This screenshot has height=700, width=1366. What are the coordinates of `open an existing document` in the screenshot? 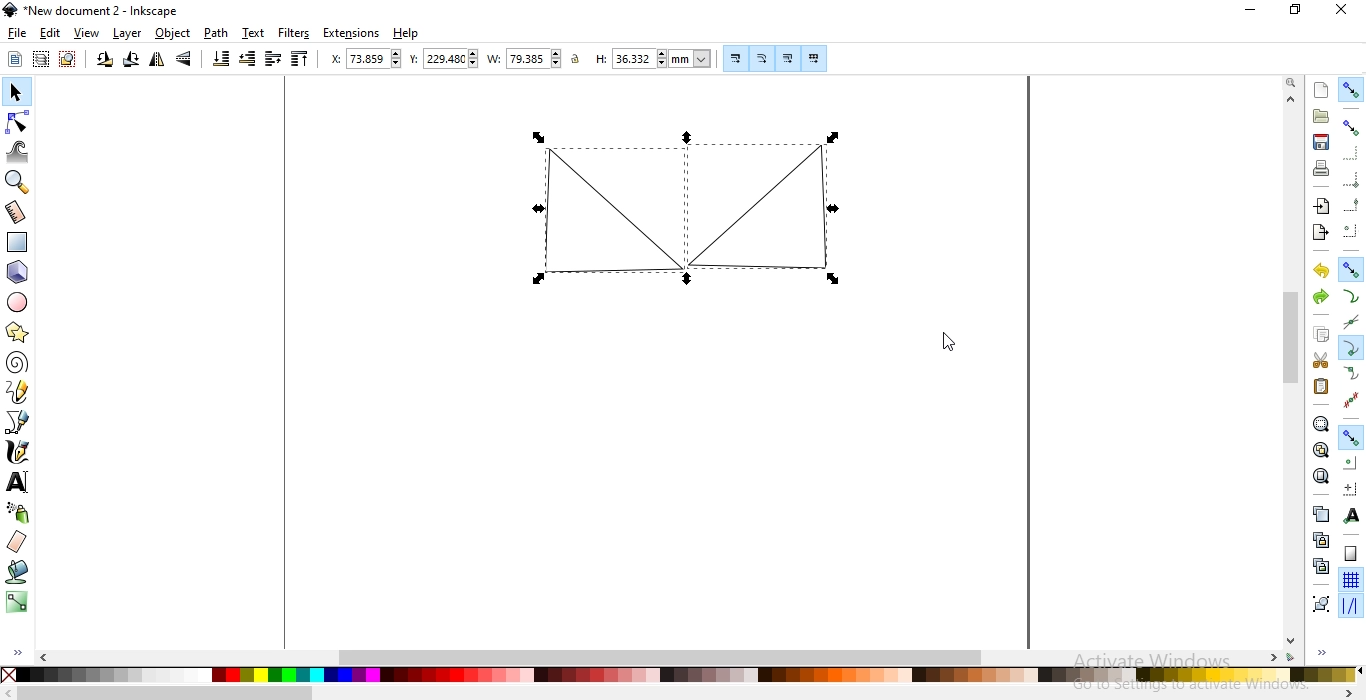 It's located at (1321, 117).